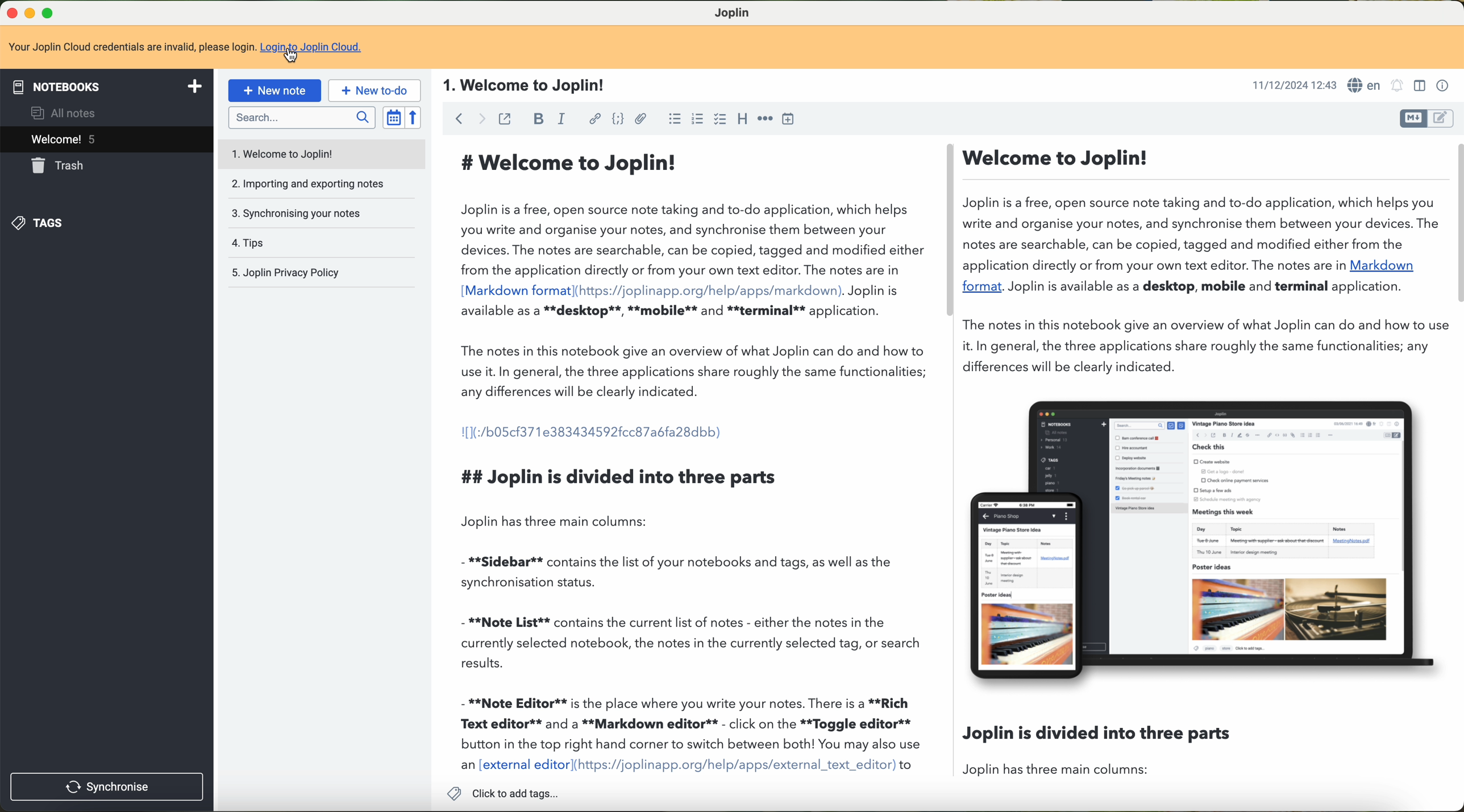 The height and width of the screenshot is (812, 1464). I want to click on navigate back arrow, so click(455, 118).